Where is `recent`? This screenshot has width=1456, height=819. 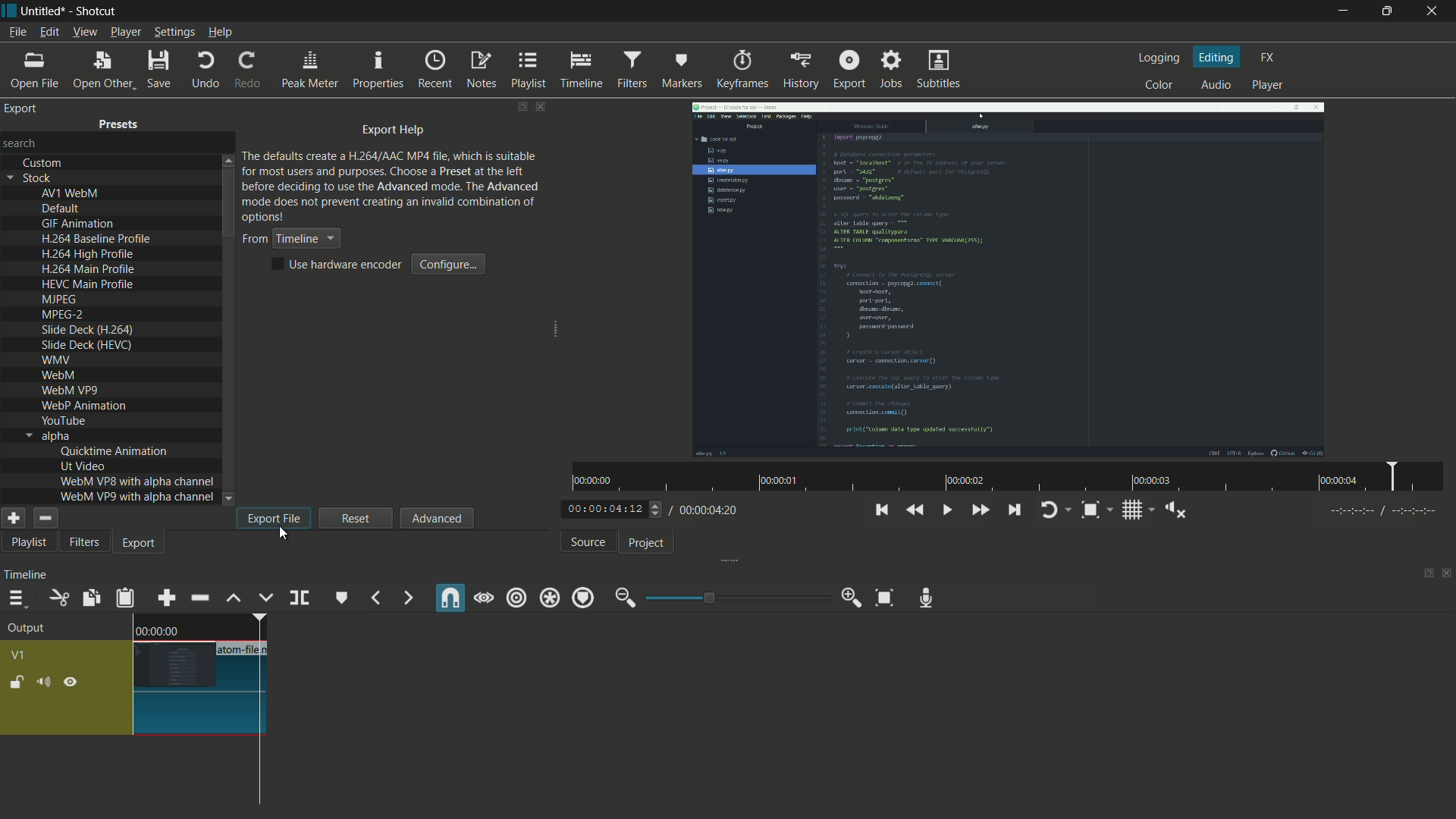
recent is located at coordinates (435, 71).